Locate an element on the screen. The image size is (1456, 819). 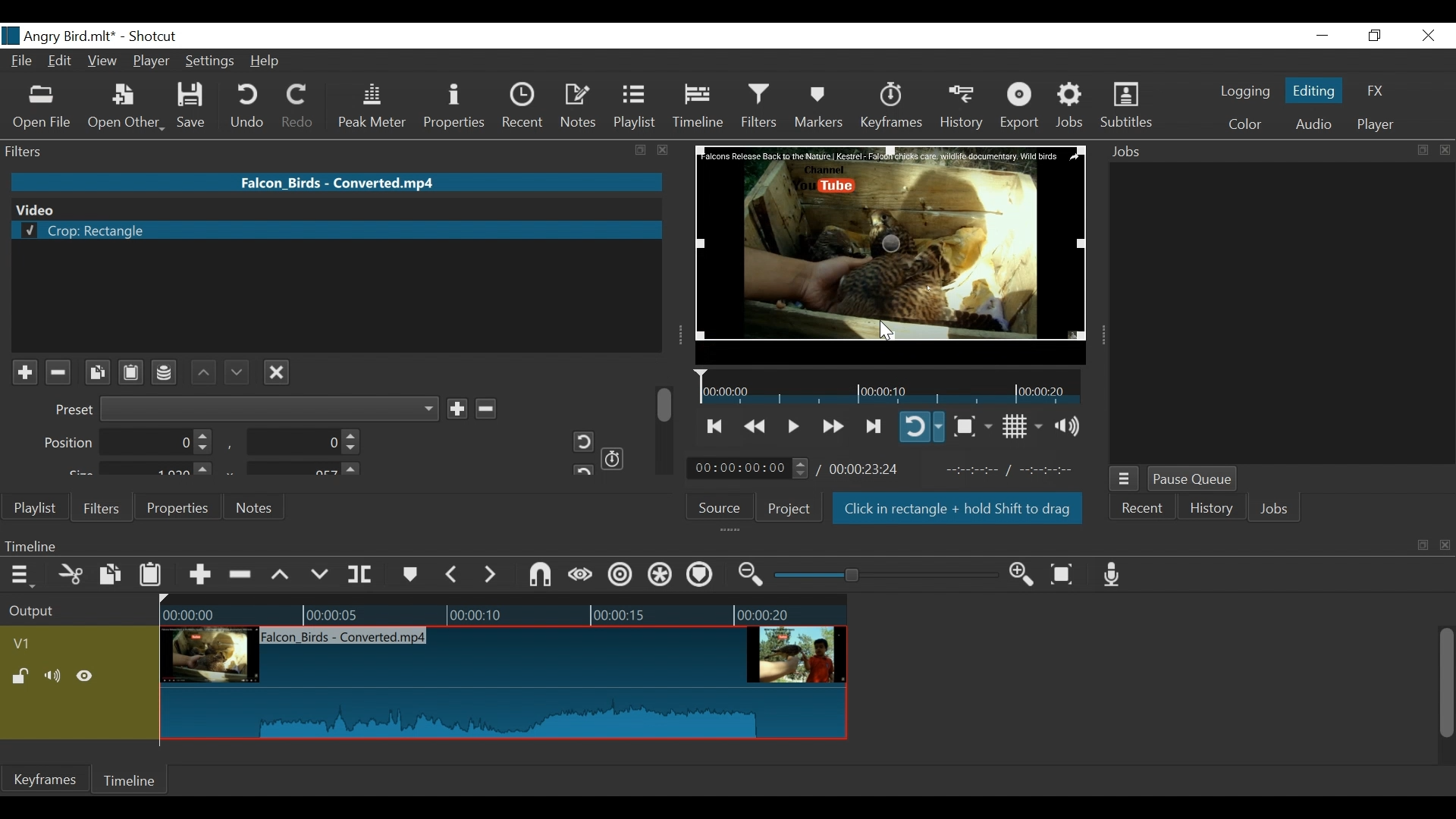
Lift is located at coordinates (283, 576).